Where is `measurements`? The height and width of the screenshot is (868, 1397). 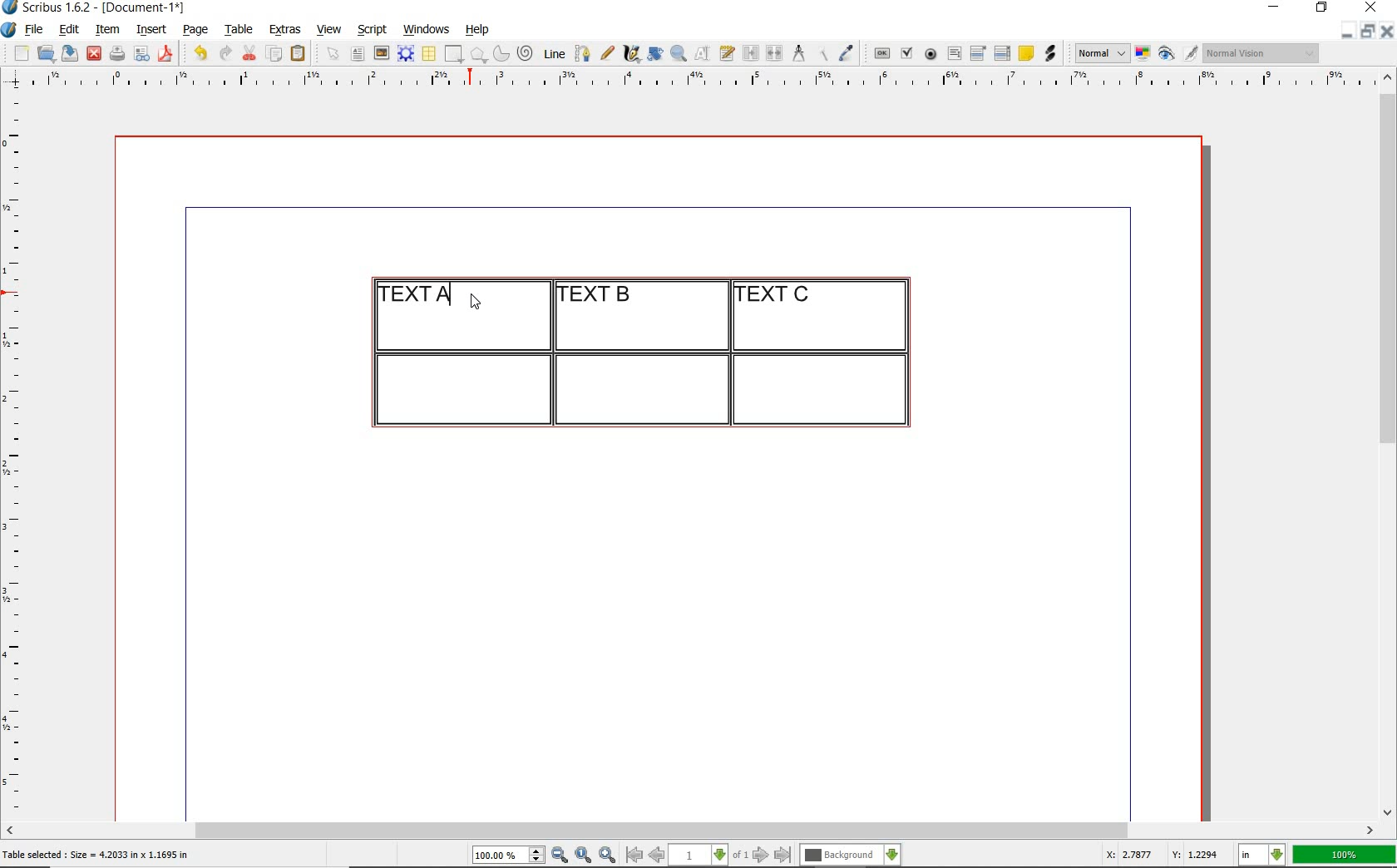 measurements is located at coordinates (798, 54).